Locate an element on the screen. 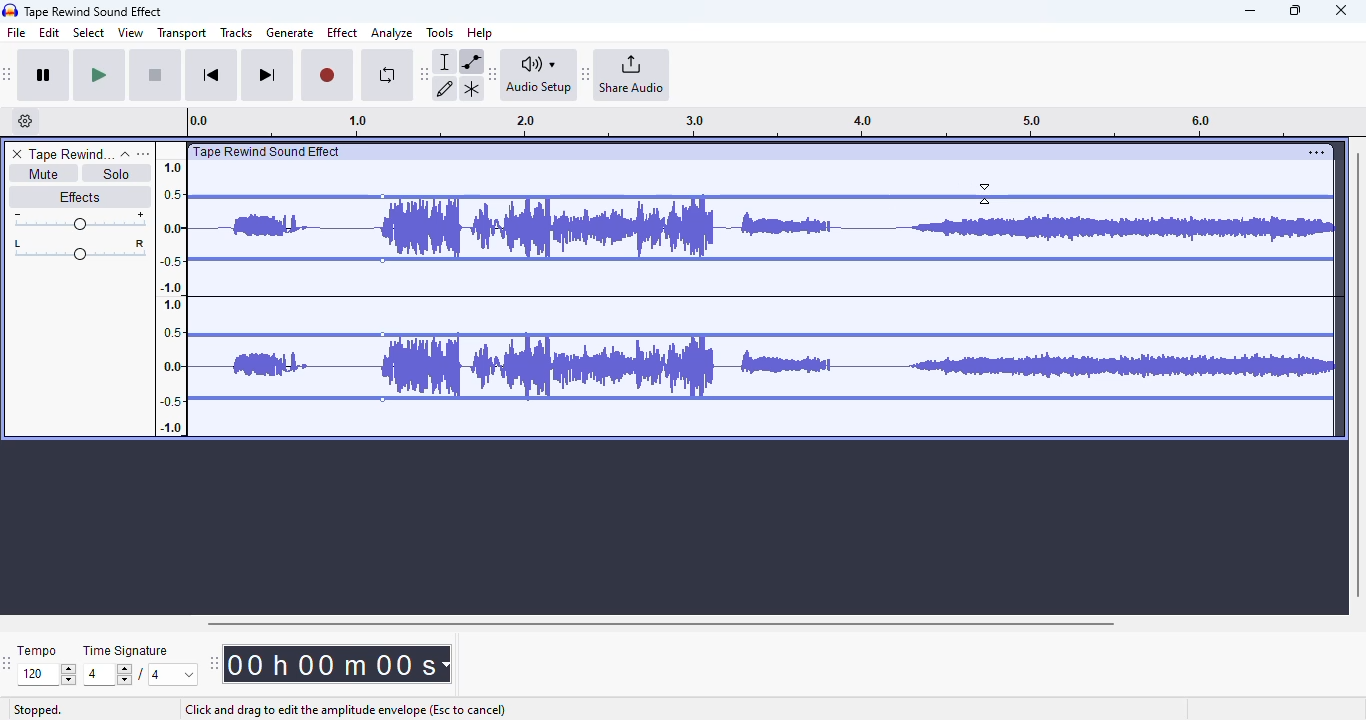 This screenshot has height=720, width=1366. timeline options is located at coordinates (26, 121).